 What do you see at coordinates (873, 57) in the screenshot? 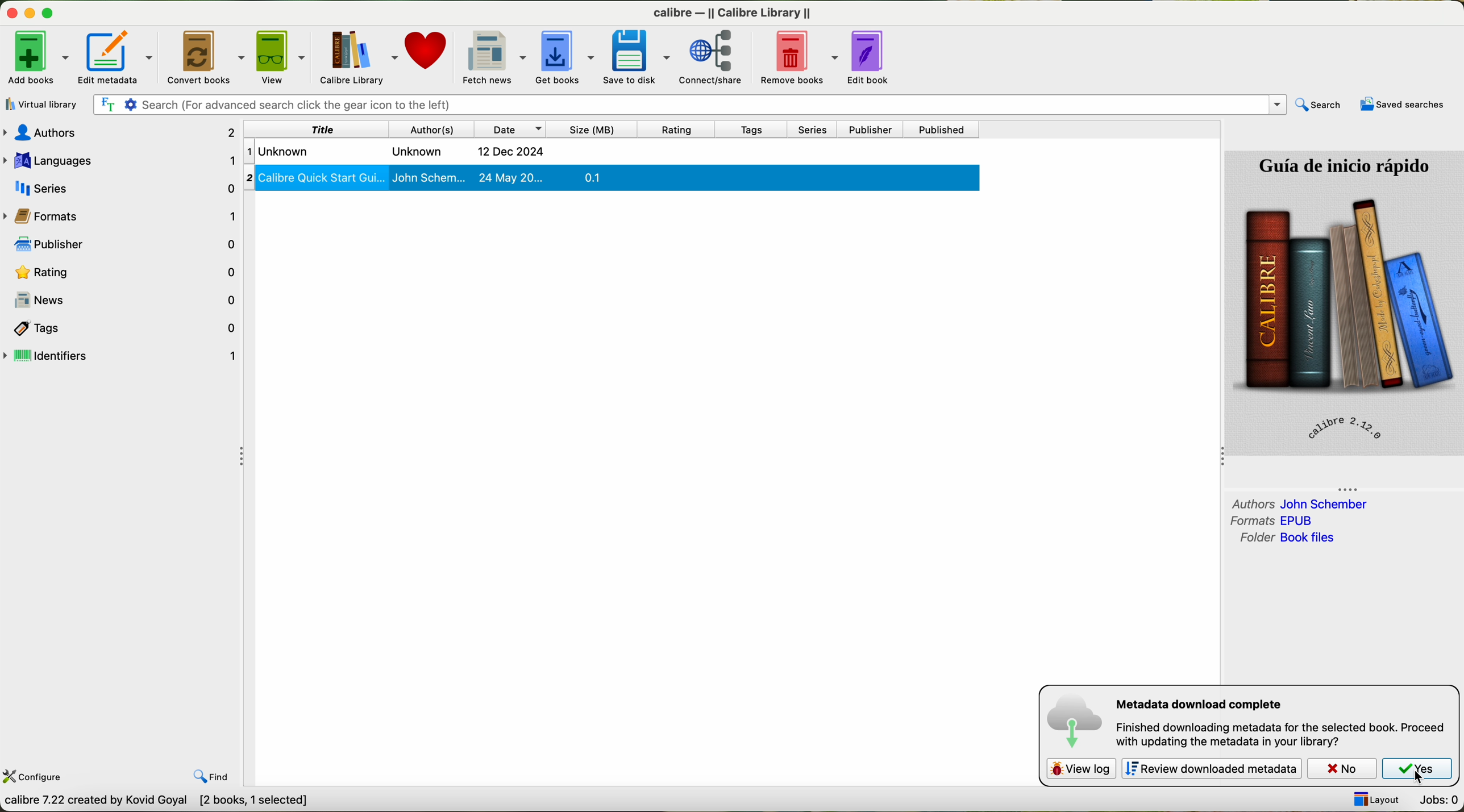
I see `edit book` at bounding box center [873, 57].